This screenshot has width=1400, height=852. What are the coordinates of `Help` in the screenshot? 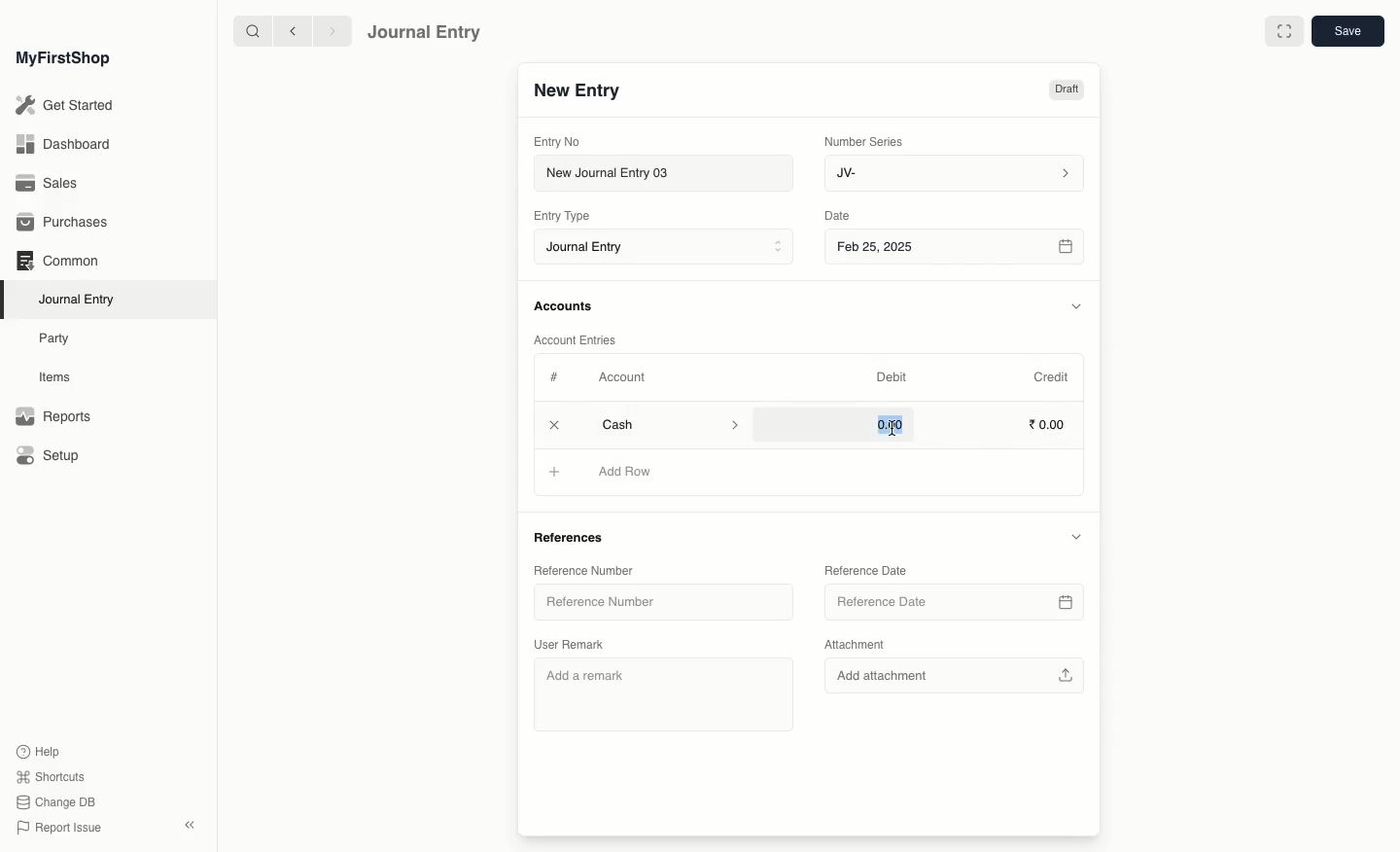 It's located at (36, 750).